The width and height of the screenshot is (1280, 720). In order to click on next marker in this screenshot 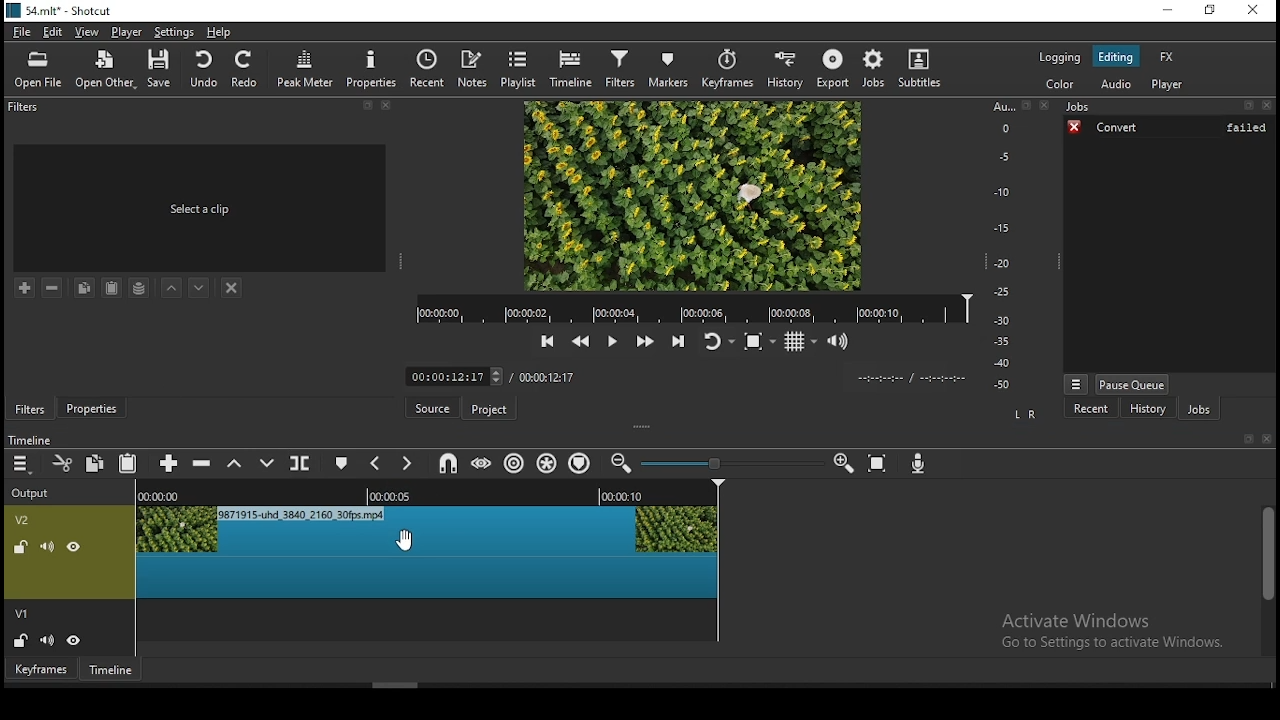, I will do `click(406, 464)`.